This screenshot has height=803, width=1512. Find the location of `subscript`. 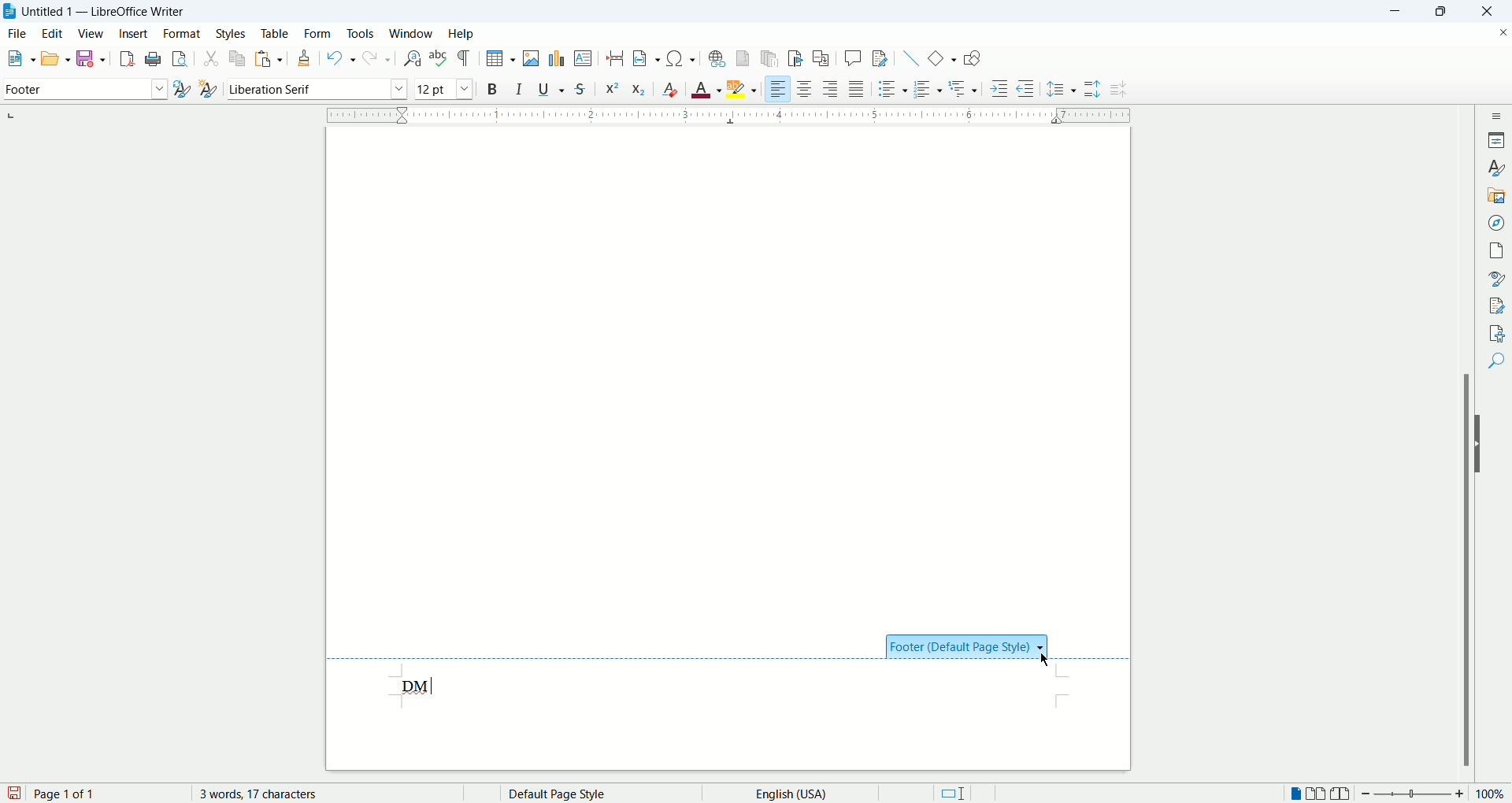

subscript is located at coordinates (639, 91).